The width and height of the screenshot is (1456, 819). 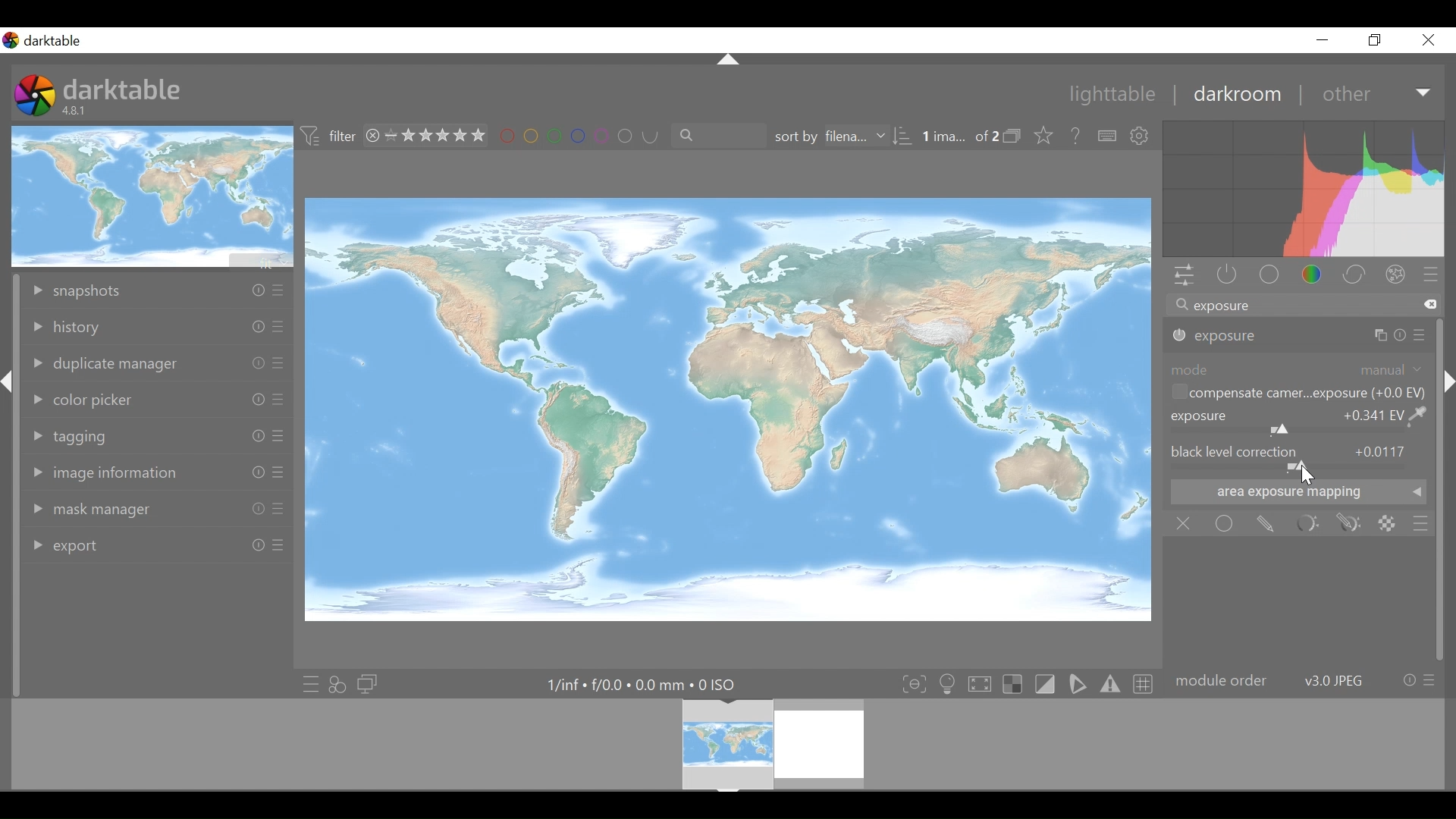 I want to click on Version, so click(x=77, y=111).